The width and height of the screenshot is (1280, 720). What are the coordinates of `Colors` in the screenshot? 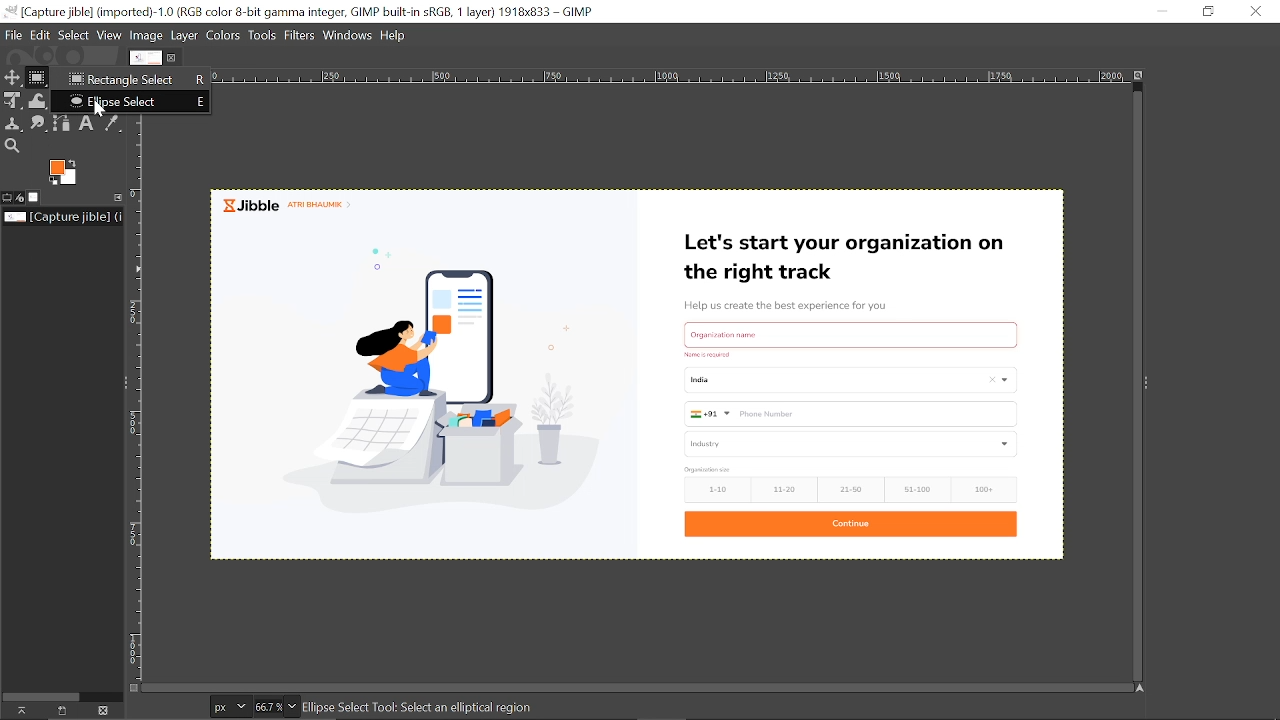 It's located at (224, 34).